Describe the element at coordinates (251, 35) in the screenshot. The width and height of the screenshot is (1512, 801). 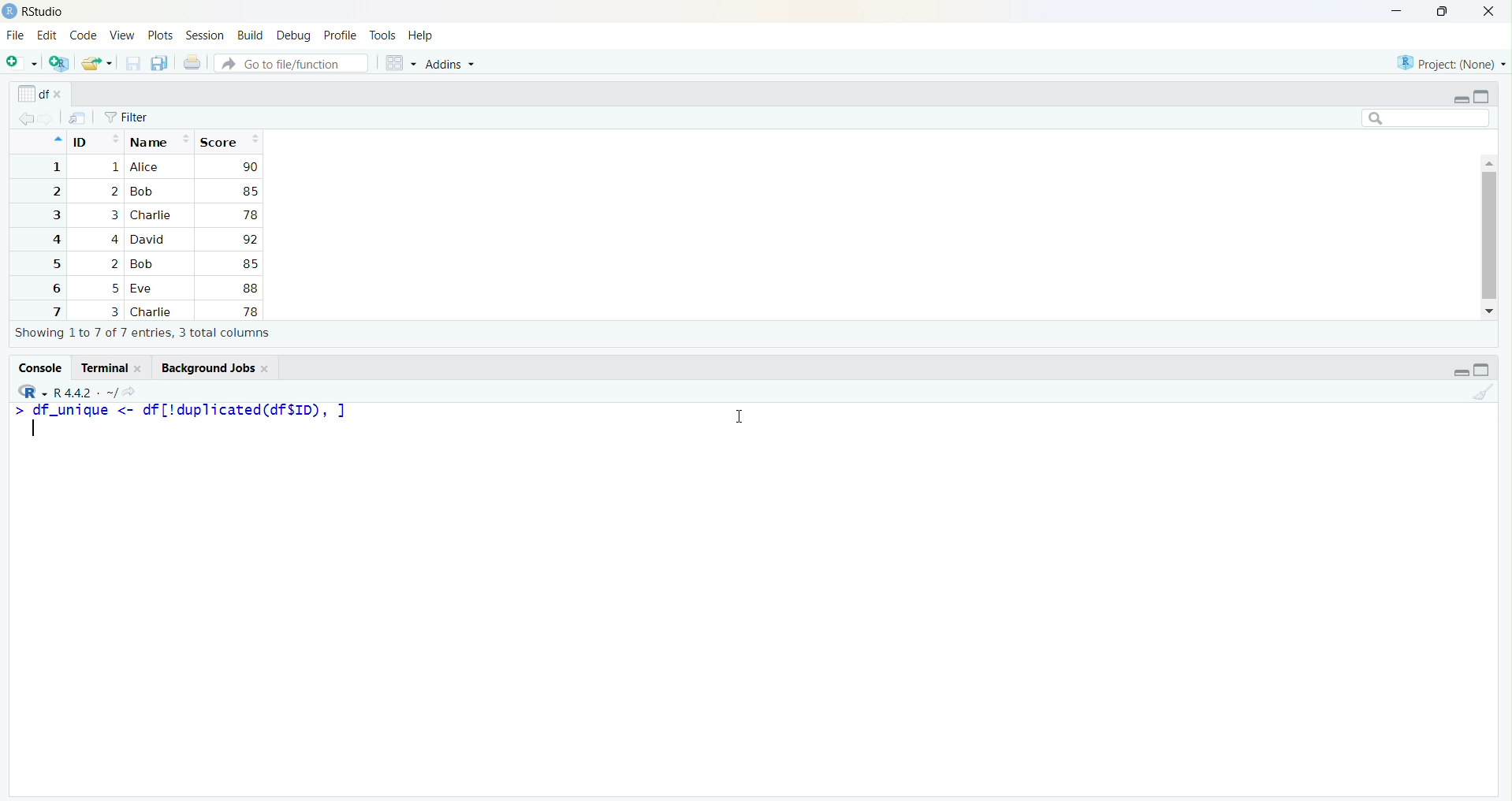
I see `Build` at that location.